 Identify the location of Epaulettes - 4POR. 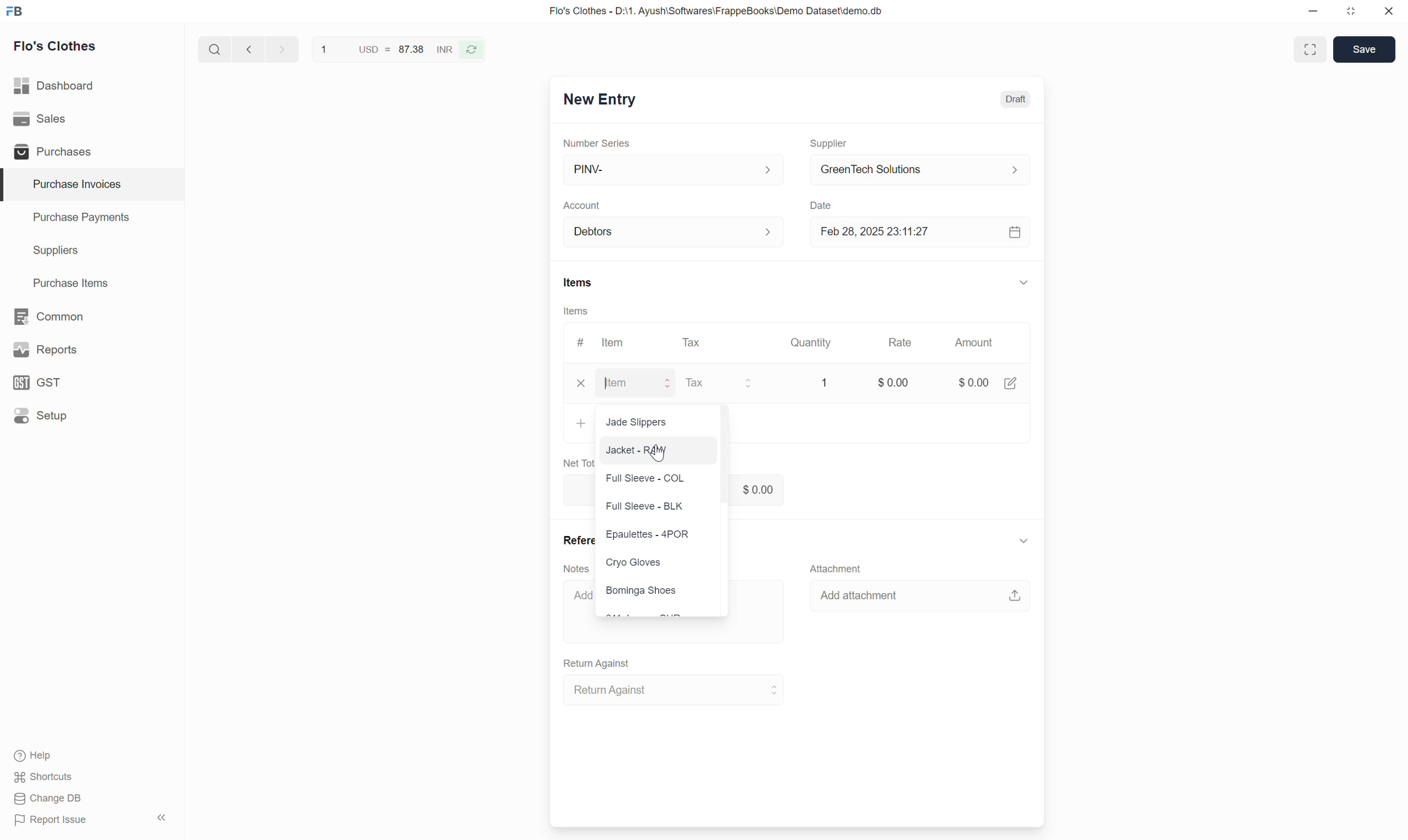
(658, 534).